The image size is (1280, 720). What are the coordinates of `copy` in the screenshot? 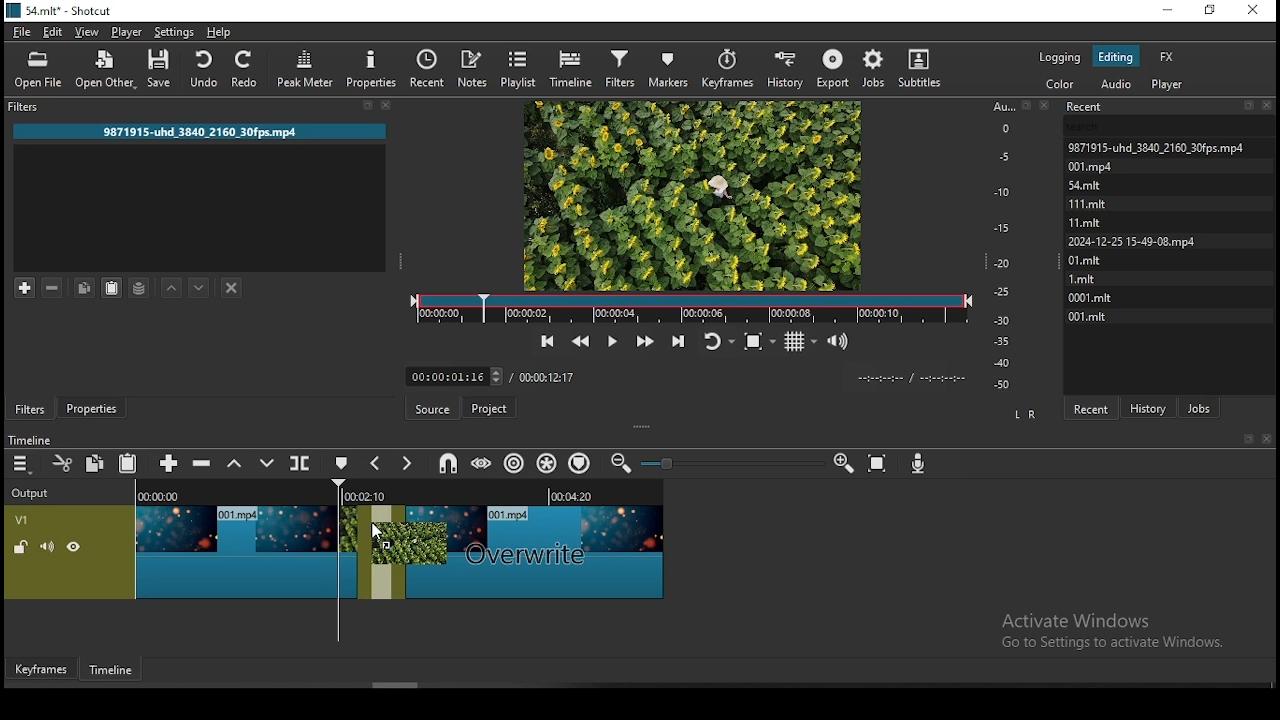 It's located at (95, 462).